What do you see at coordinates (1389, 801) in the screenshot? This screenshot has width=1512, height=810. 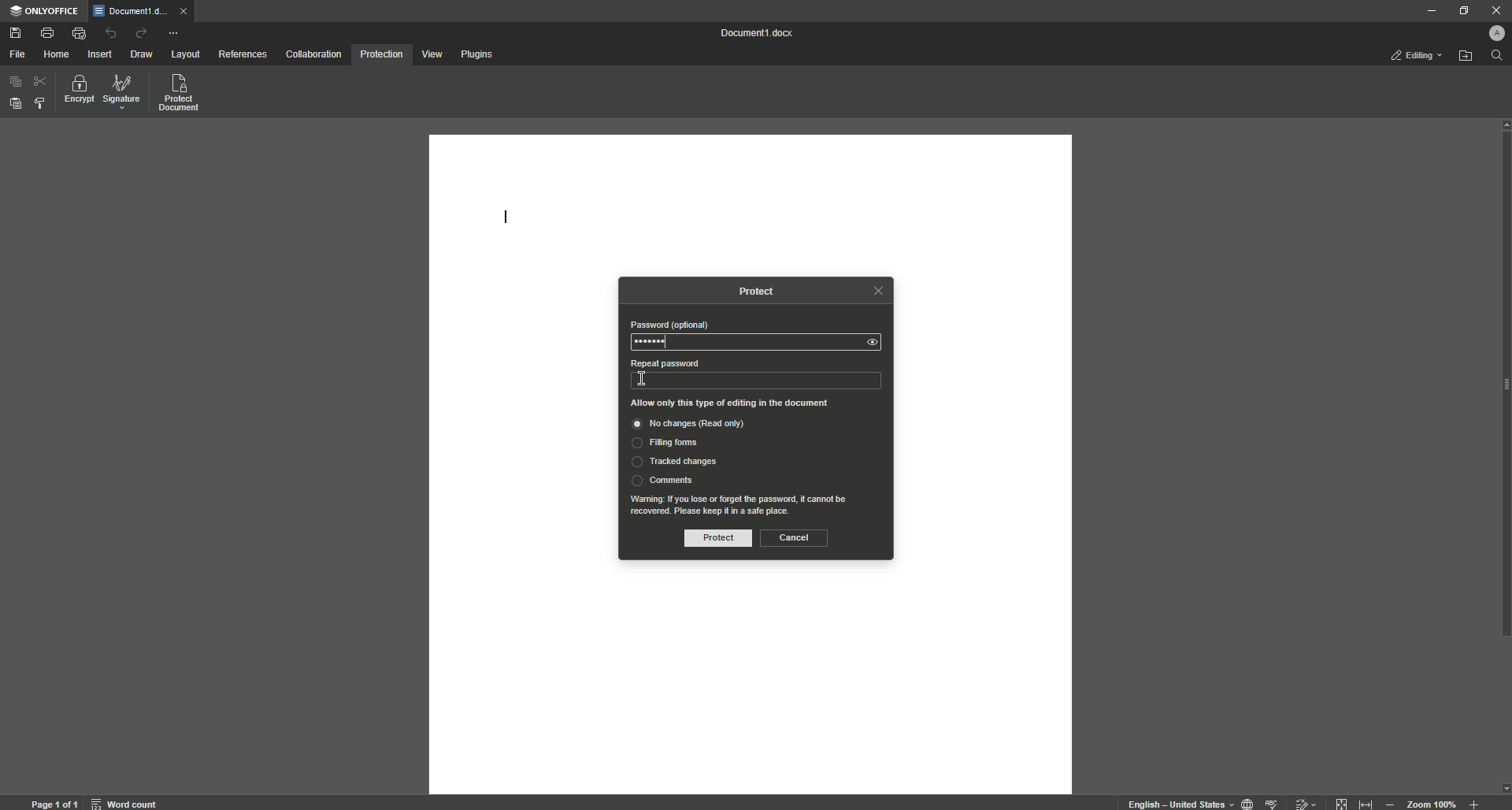 I see `Zoom out` at bounding box center [1389, 801].